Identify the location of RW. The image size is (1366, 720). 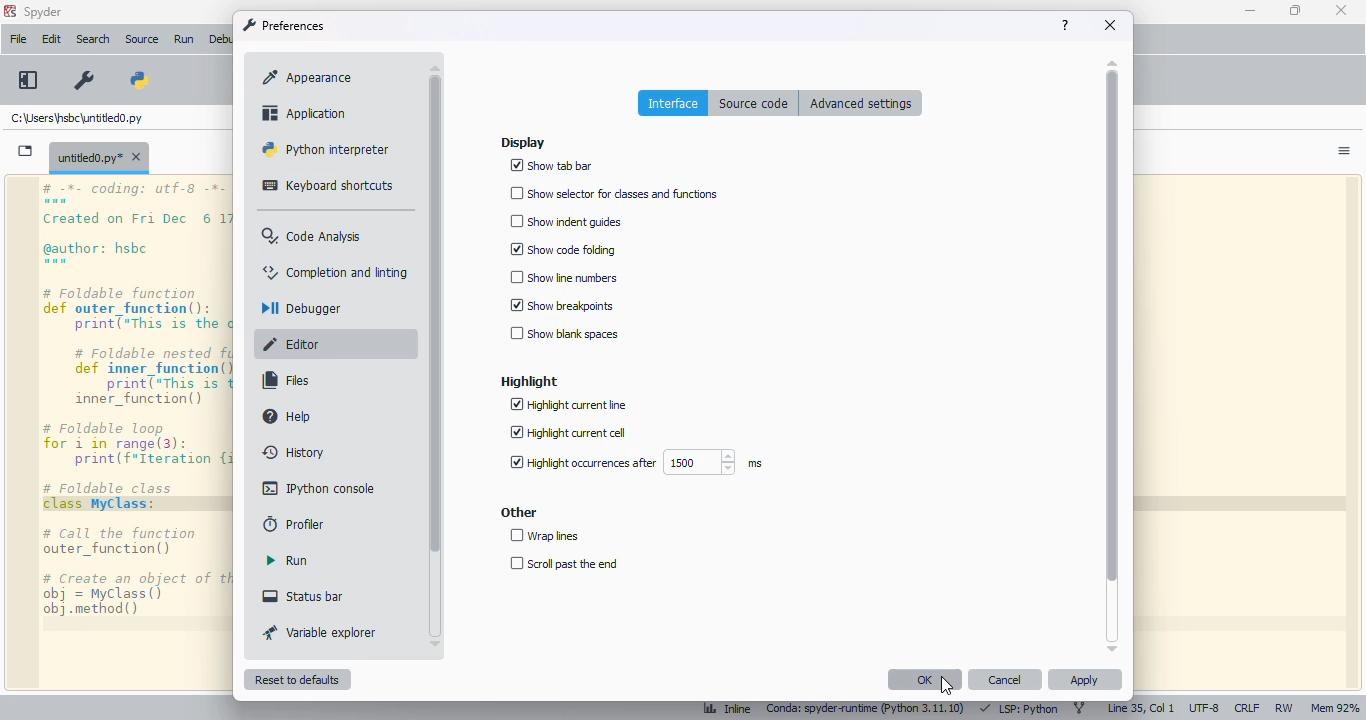
(1283, 708).